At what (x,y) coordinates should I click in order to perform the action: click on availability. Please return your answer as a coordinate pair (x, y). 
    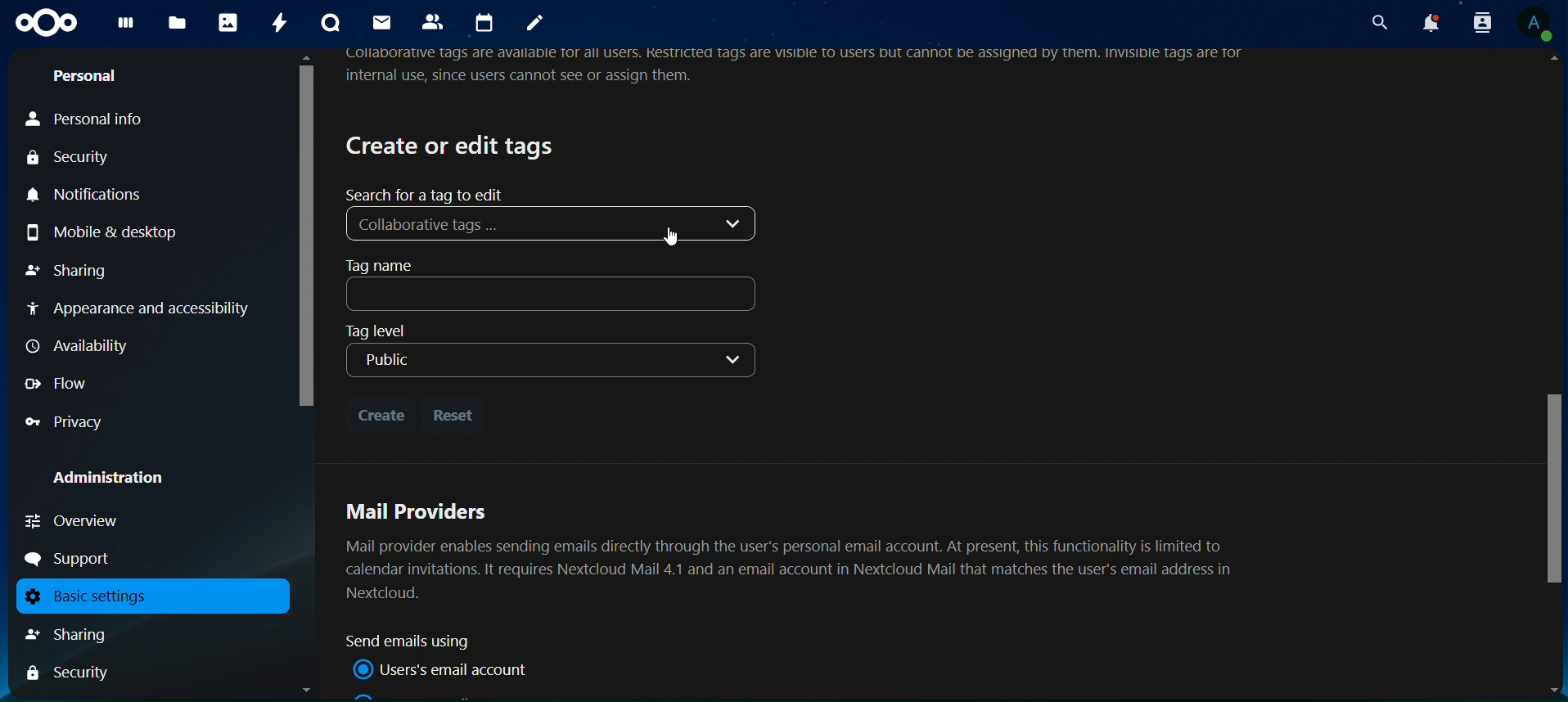
    Looking at the image, I should click on (83, 346).